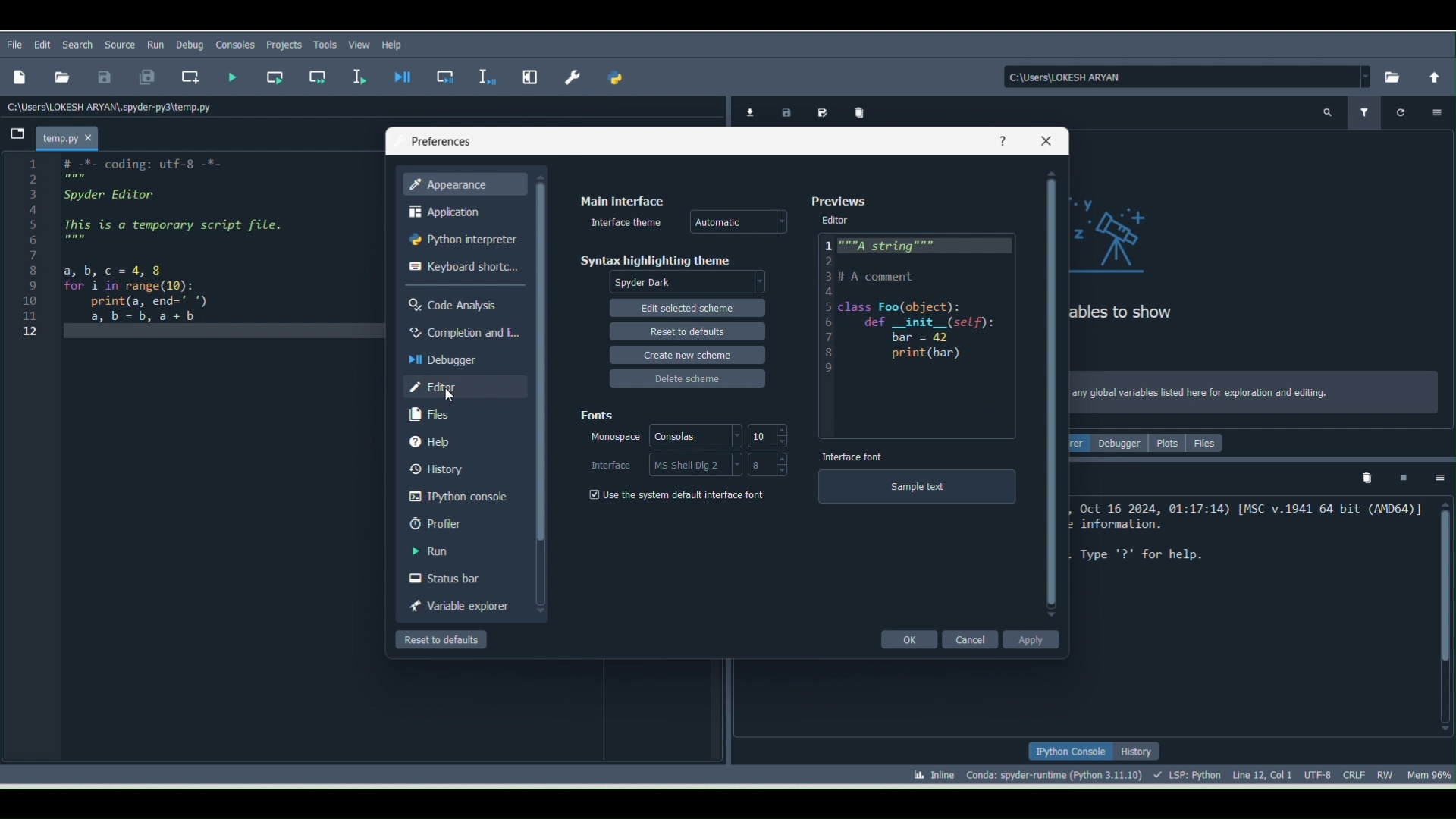 This screenshot has width=1456, height=819. Describe the element at coordinates (532, 73) in the screenshot. I see `Maximize current pane (Ctrl + Alt + Shift + M)` at that location.